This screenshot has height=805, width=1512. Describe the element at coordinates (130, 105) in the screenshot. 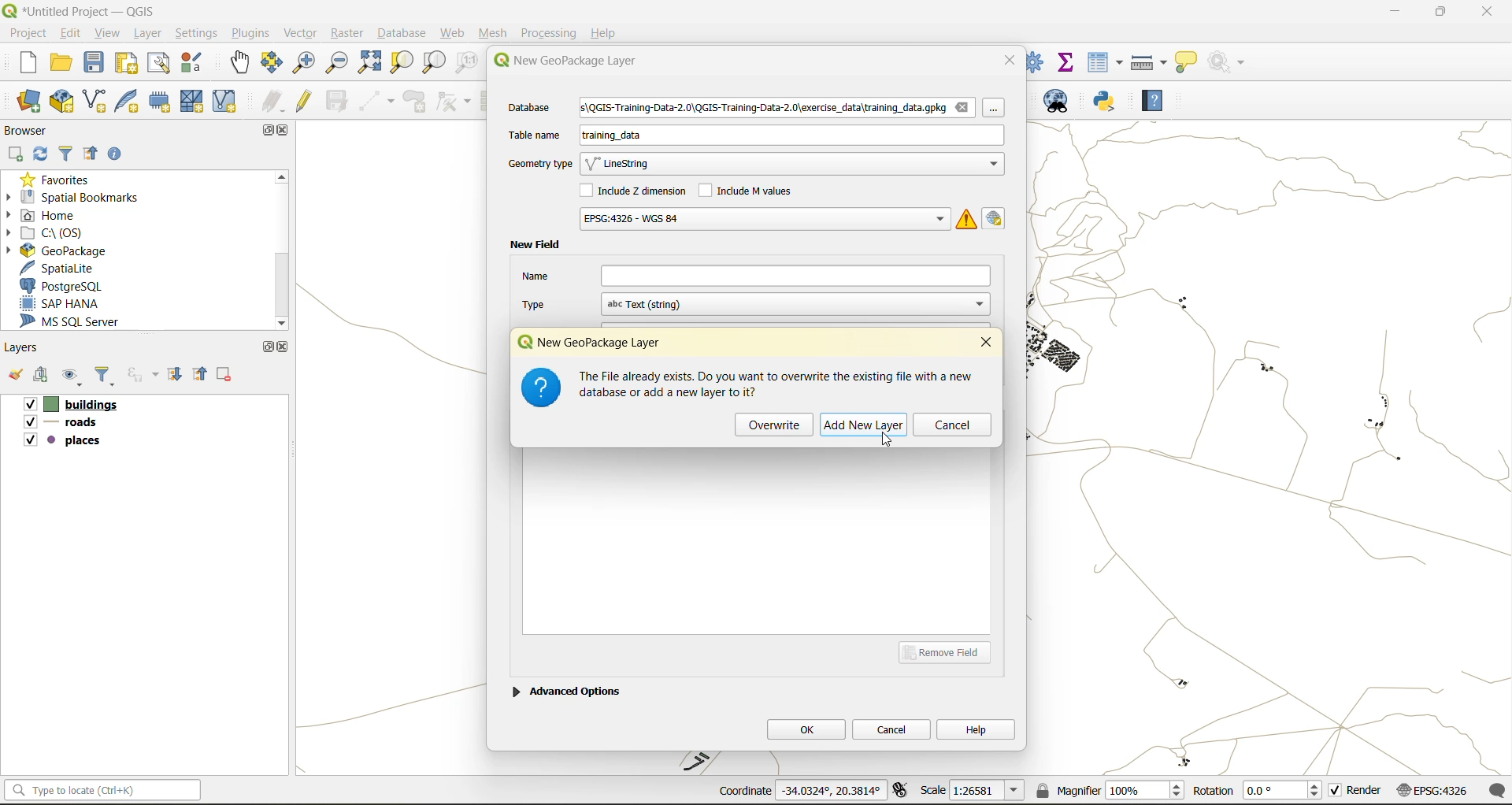

I see `new spatialite` at that location.